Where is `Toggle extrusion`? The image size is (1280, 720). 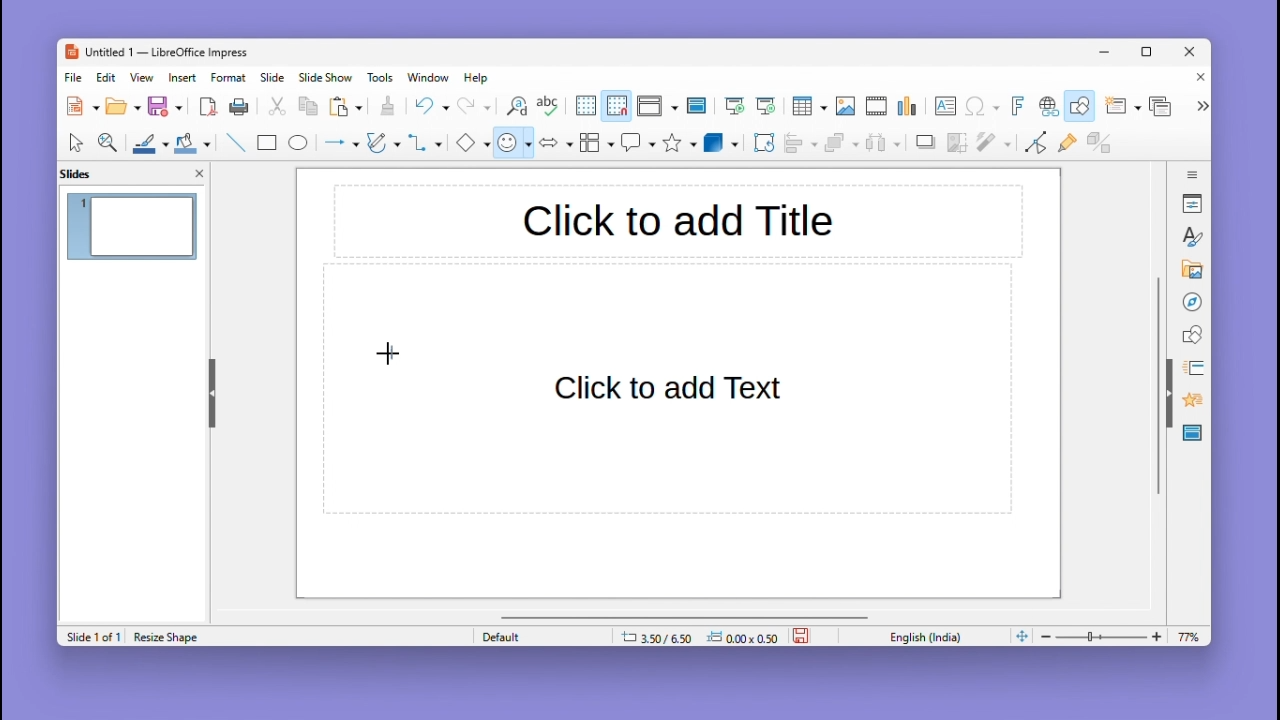 Toggle extrusion is located at coordinates (1099, 144).